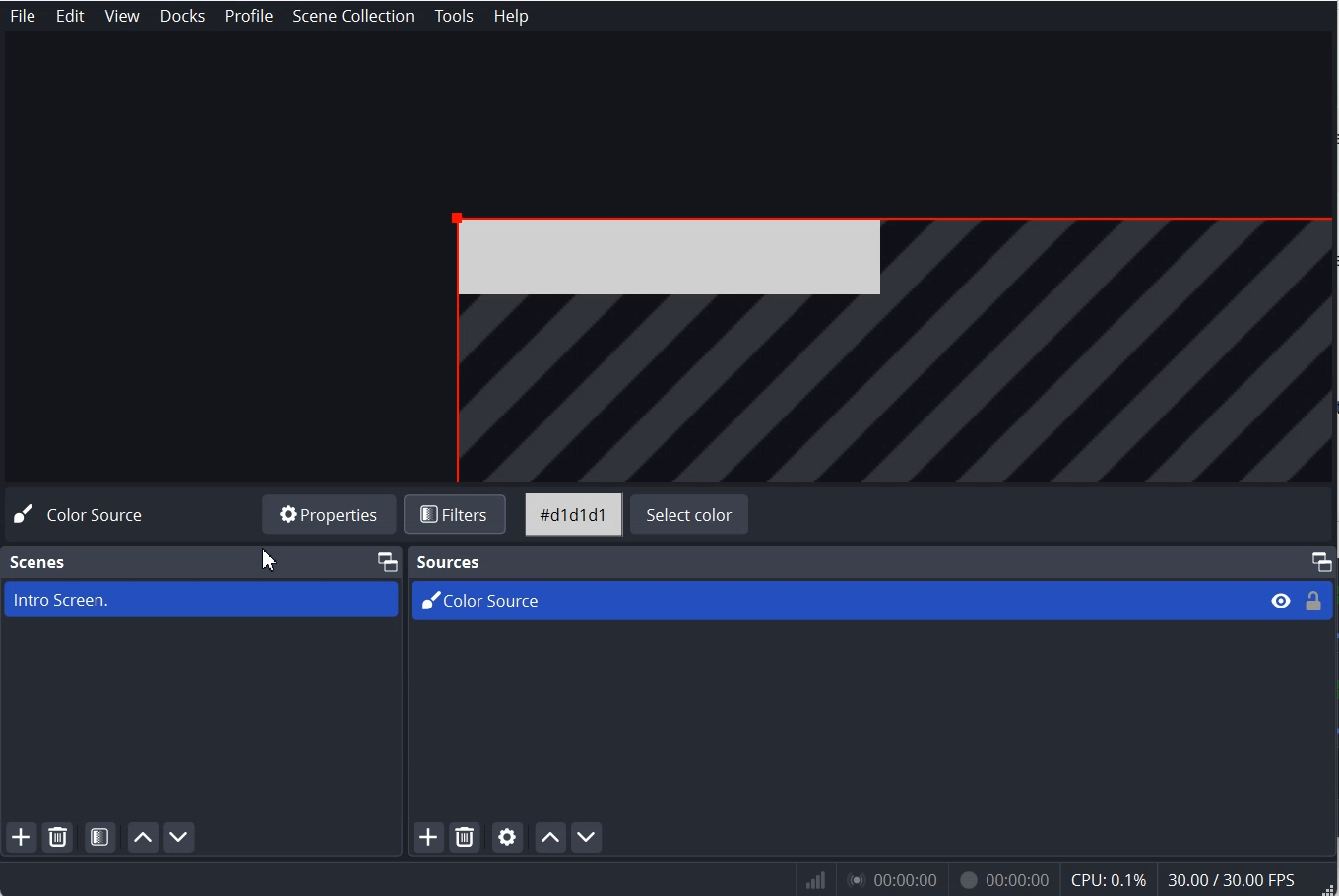  Describe the element at coordinates (39, 562) in the screenshot. I see `Scene` at that location.